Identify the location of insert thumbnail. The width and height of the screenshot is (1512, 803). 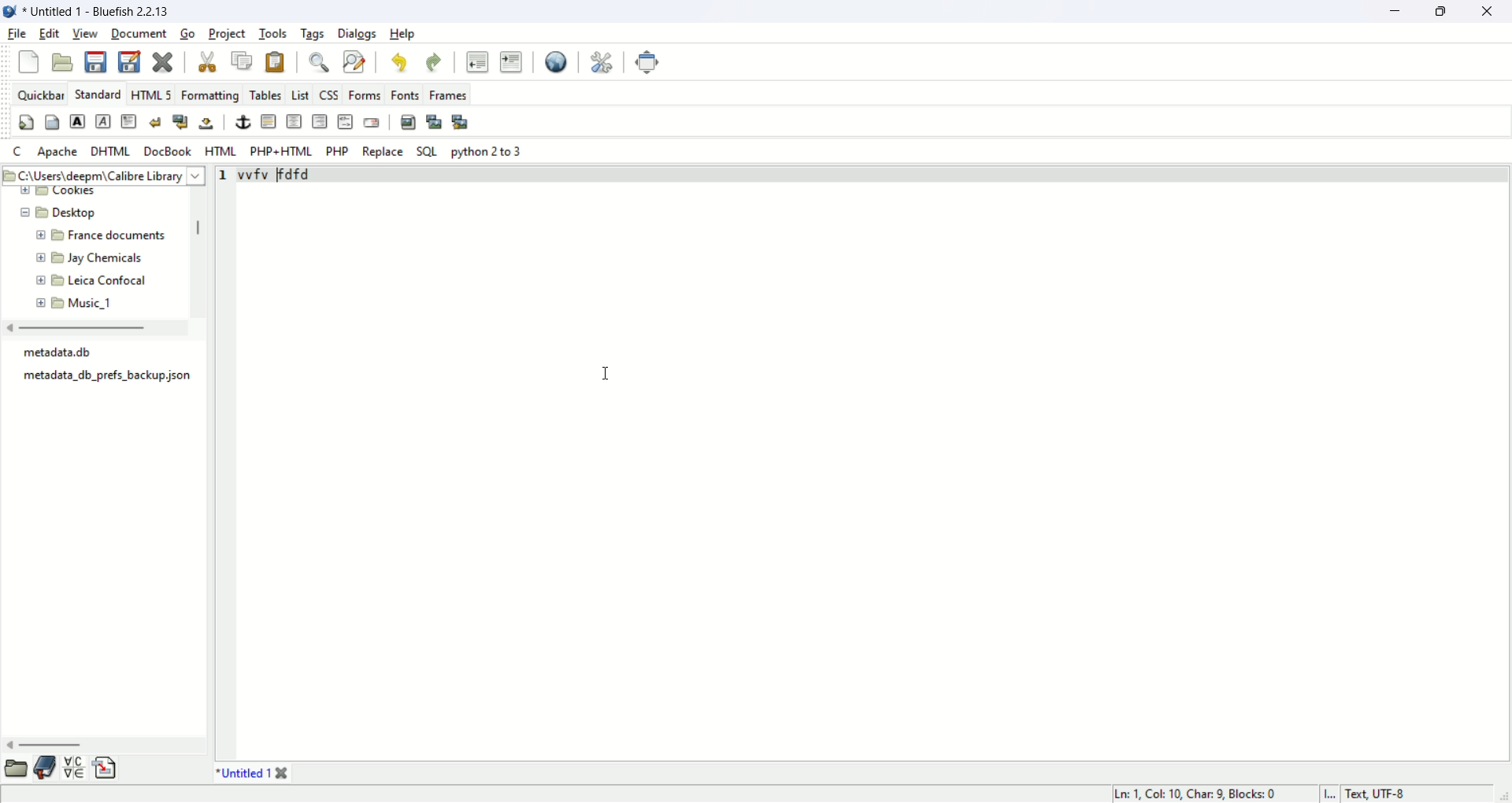
(435, 123).